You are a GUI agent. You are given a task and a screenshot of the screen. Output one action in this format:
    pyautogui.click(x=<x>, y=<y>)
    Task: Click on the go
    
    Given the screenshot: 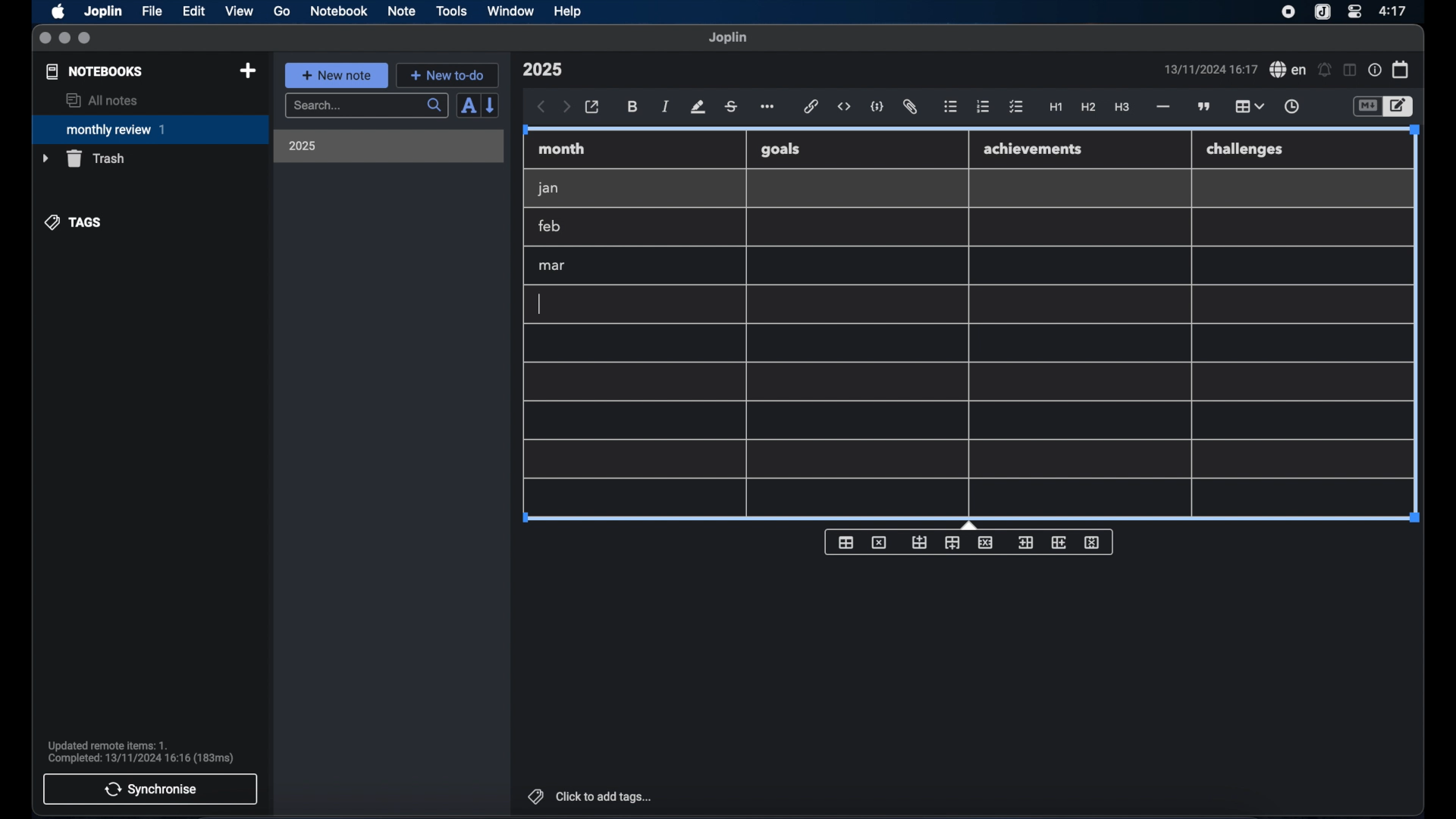 What is the action you would take?
    pyautogui.click(x=282, y=11)
    